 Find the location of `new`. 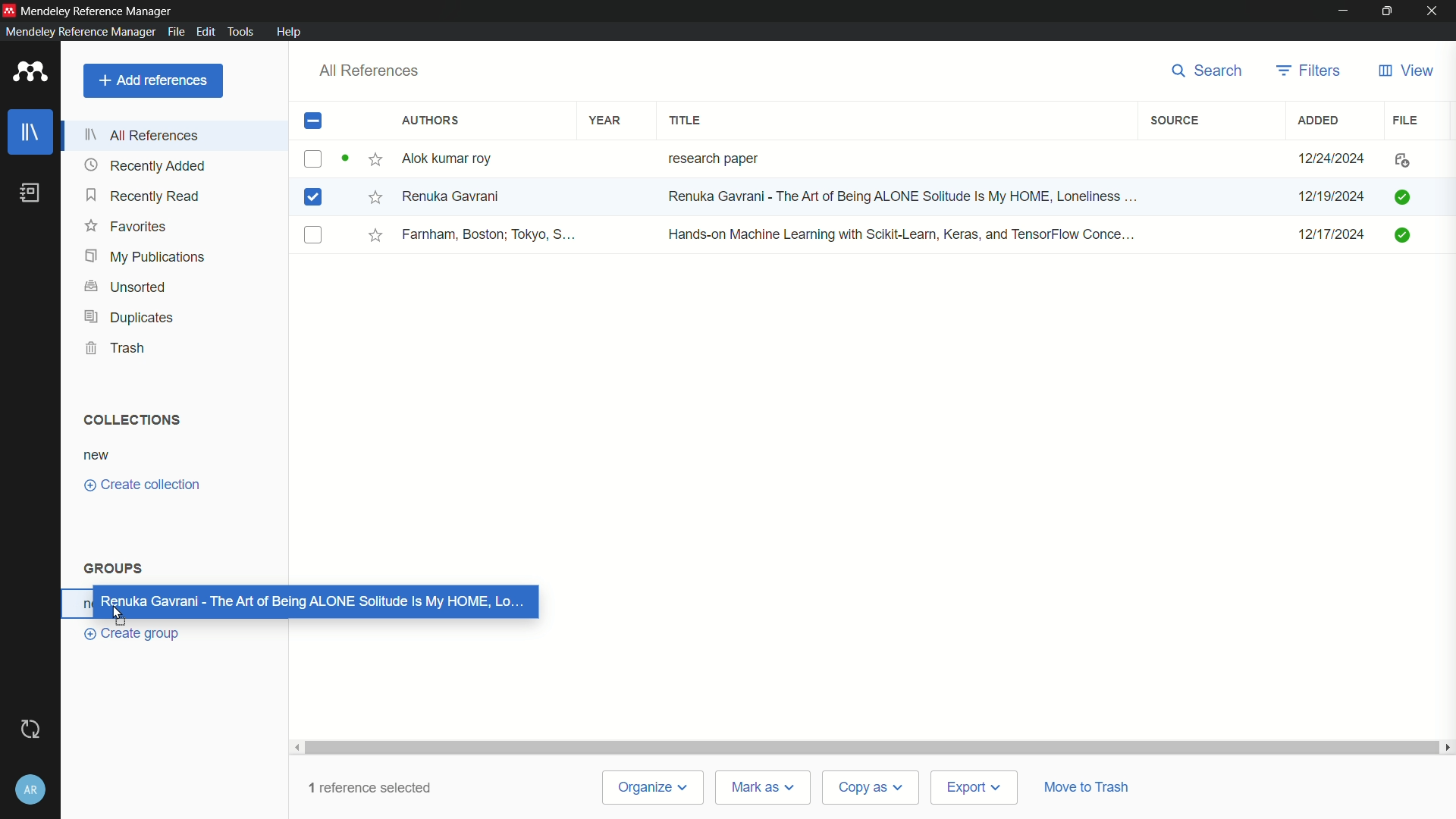

new is located at coordinates (97, 455).